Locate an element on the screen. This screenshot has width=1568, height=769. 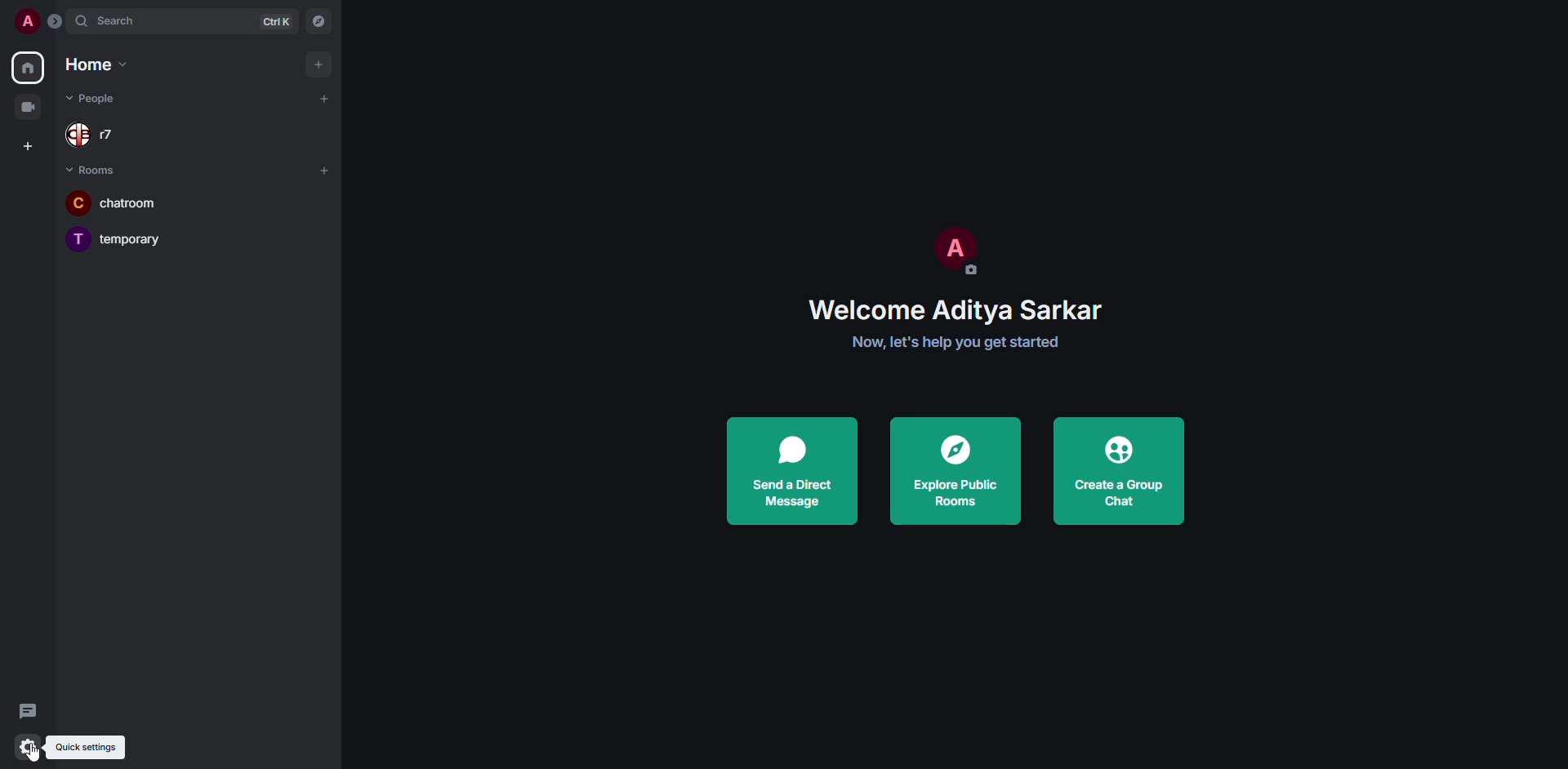
home is located at coordinates (93, 63).